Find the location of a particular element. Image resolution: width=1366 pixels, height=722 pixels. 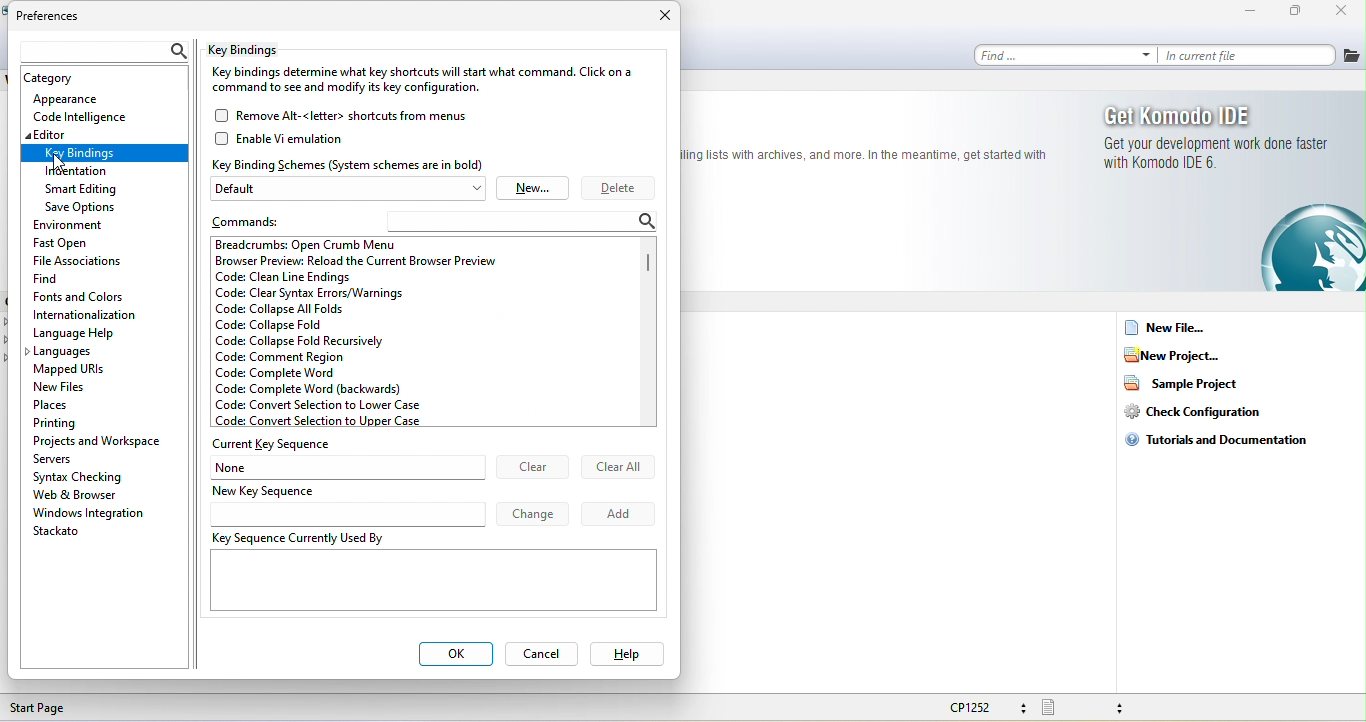

key binding schemes is located at coordinates (350, 164).